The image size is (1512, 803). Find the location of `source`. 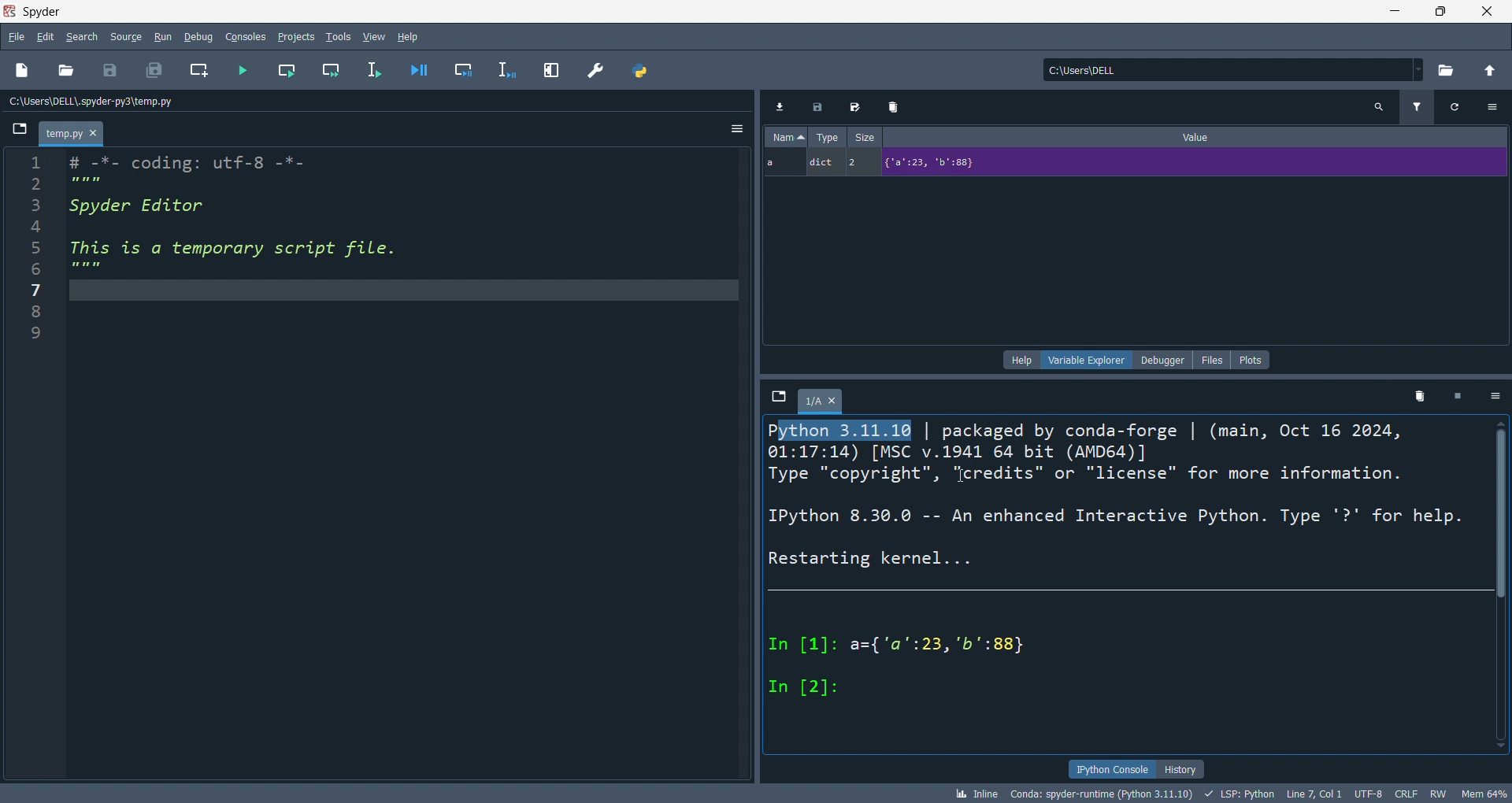

source is located at coordinates (123, 39).